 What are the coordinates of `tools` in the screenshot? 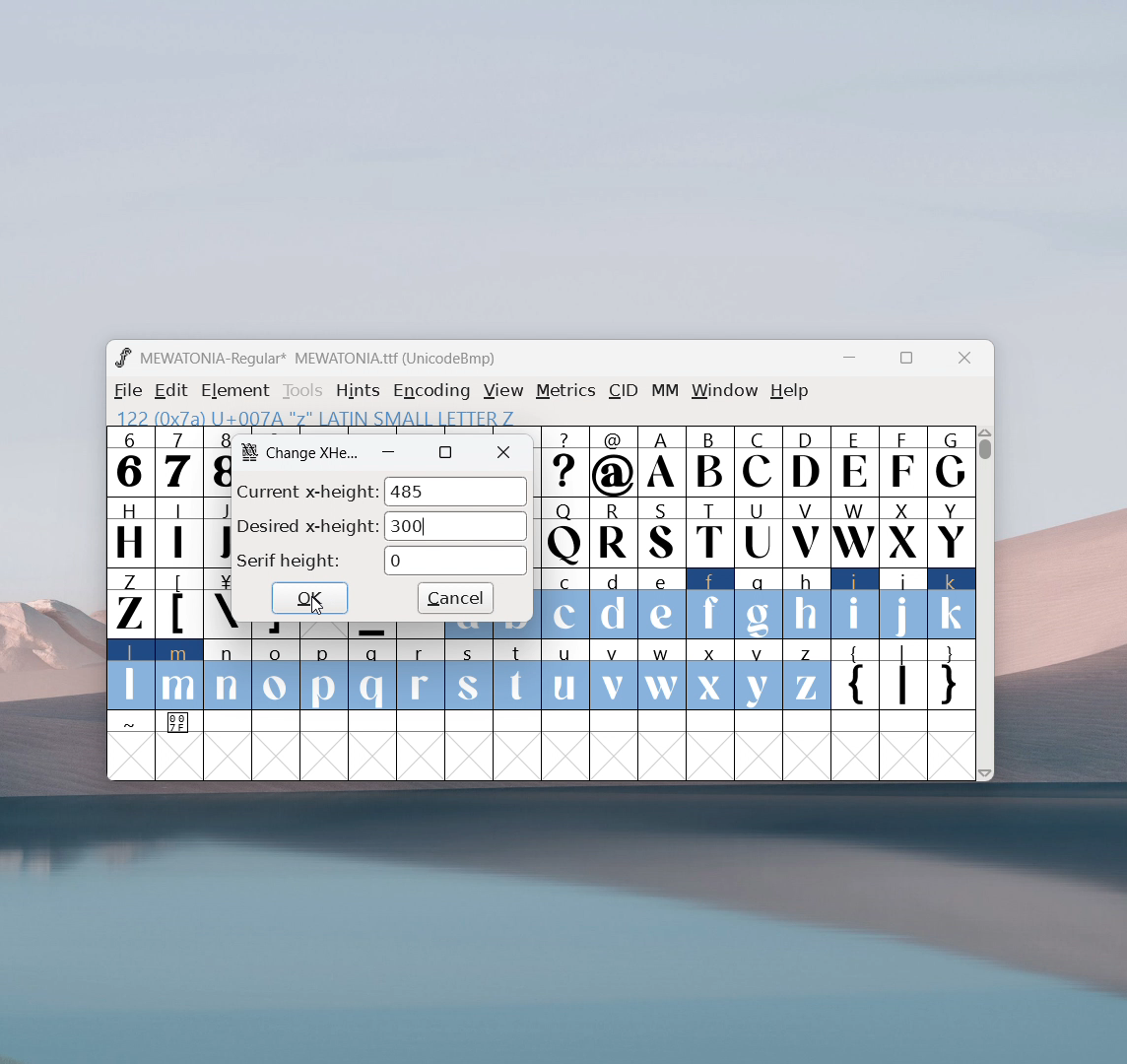 It's located at (303, 391).